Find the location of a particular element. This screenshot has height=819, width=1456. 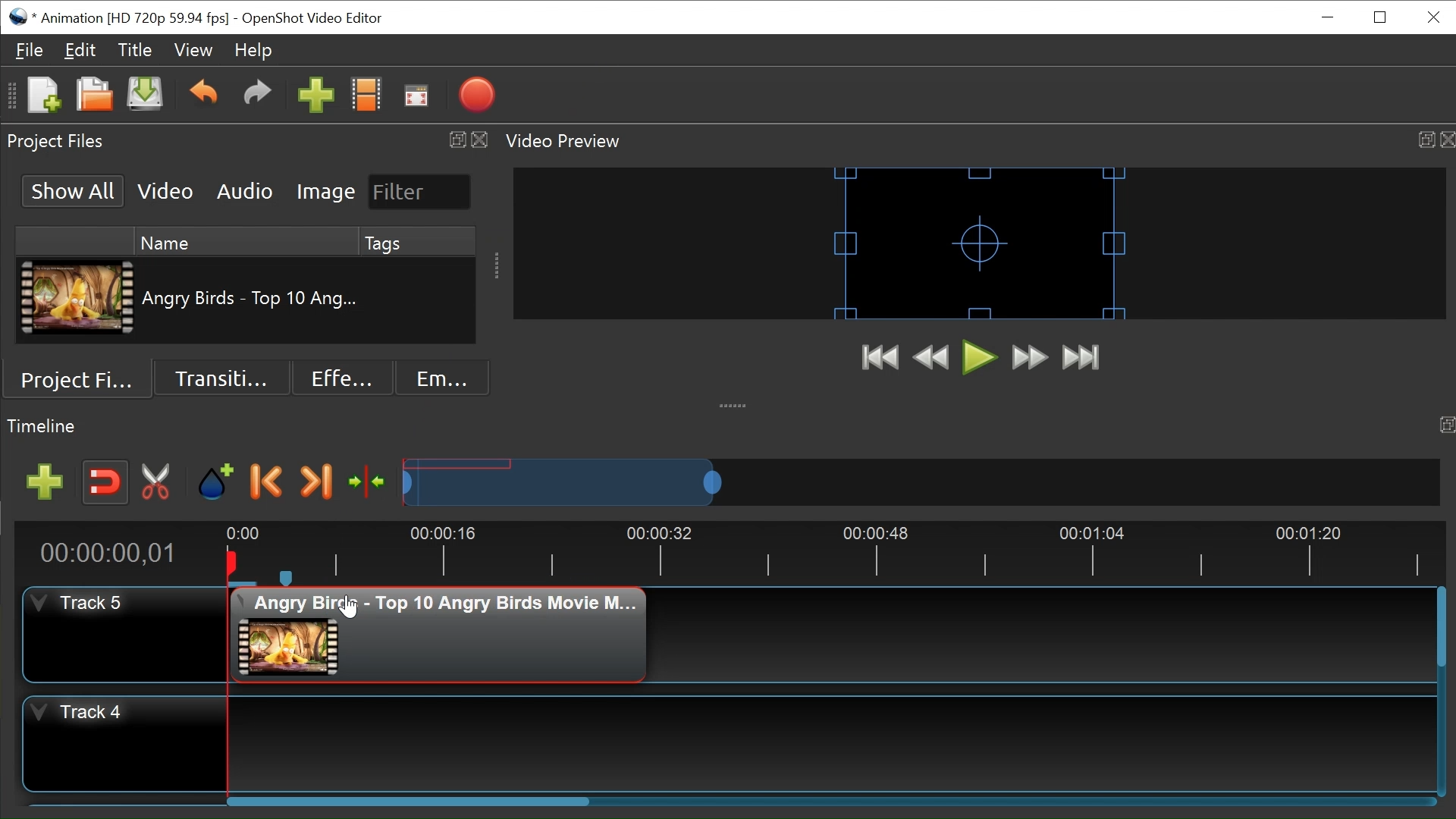

Save Project is located at coordinates (144, 97).